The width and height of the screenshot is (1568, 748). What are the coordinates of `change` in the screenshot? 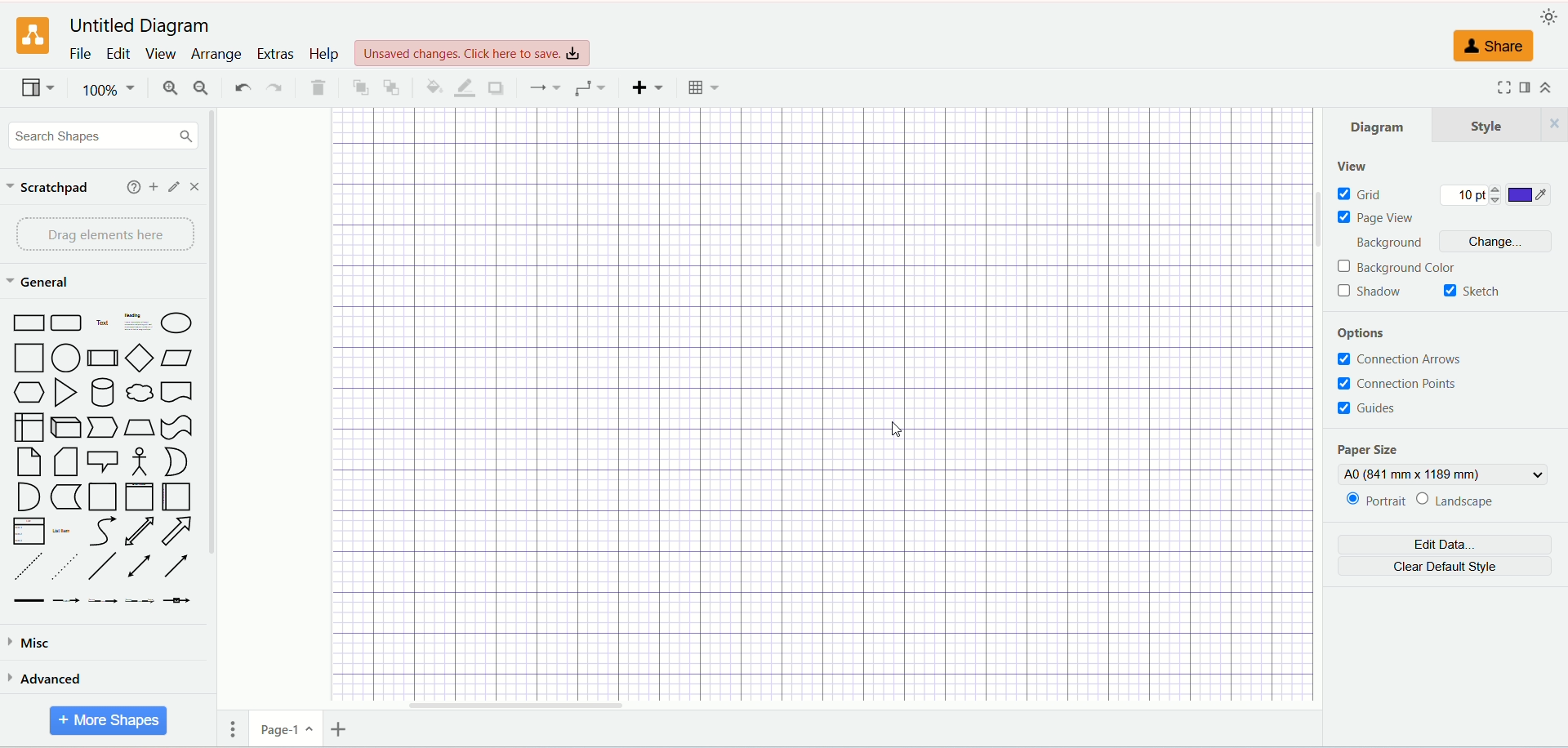 It's located at (1501, 243).